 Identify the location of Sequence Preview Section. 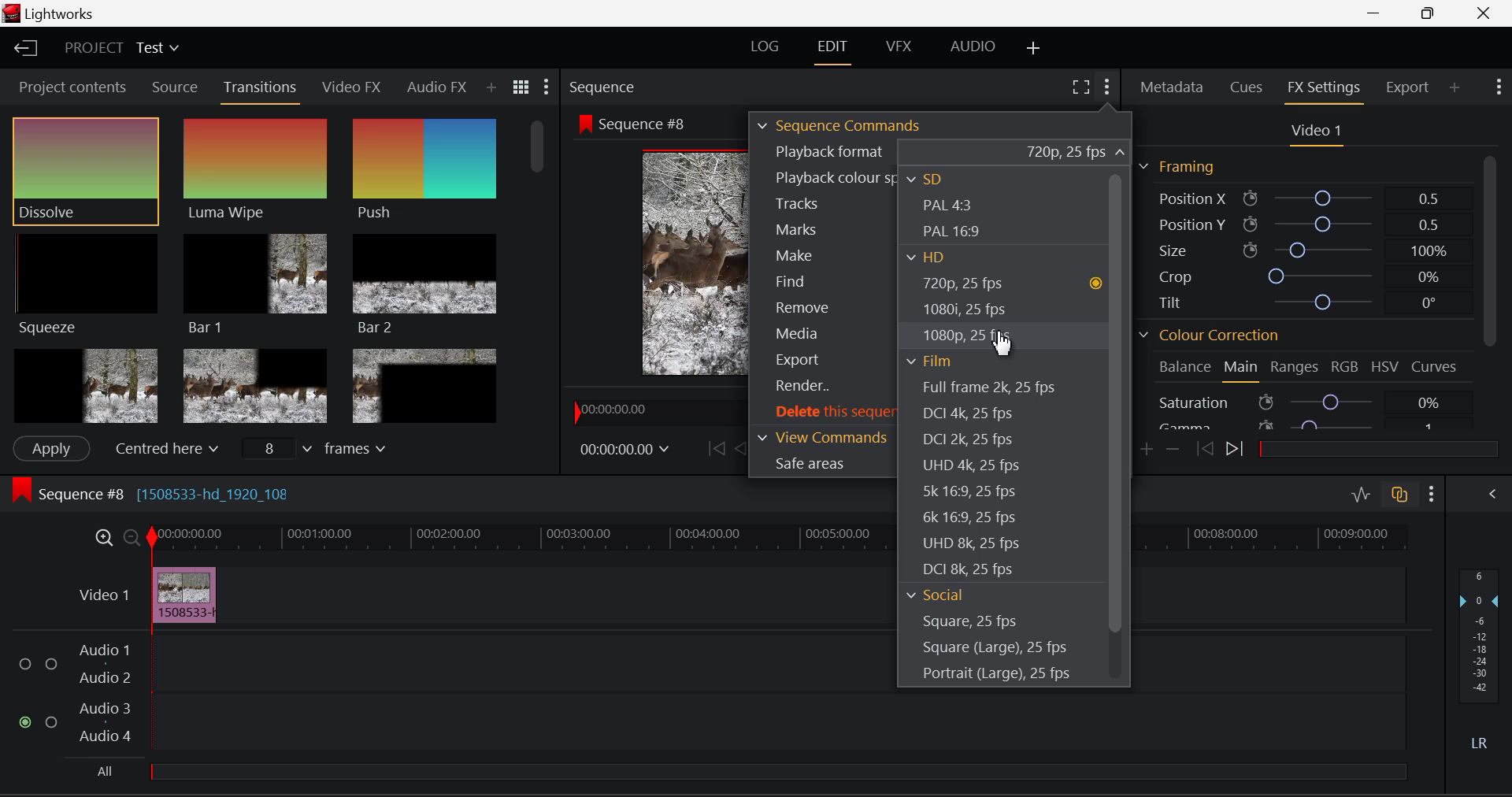
(600, 84).